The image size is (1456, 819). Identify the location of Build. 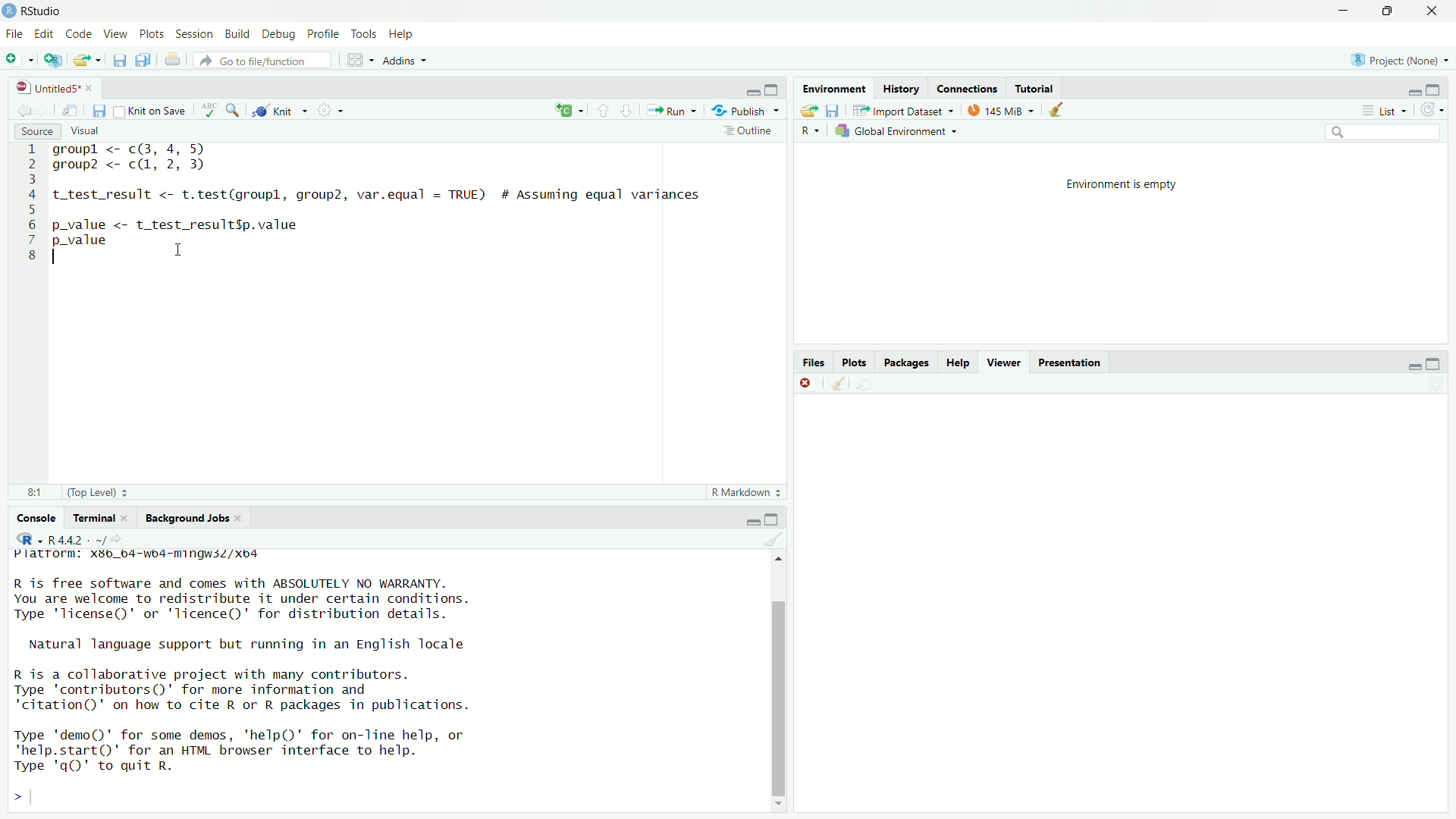
(238, 32).